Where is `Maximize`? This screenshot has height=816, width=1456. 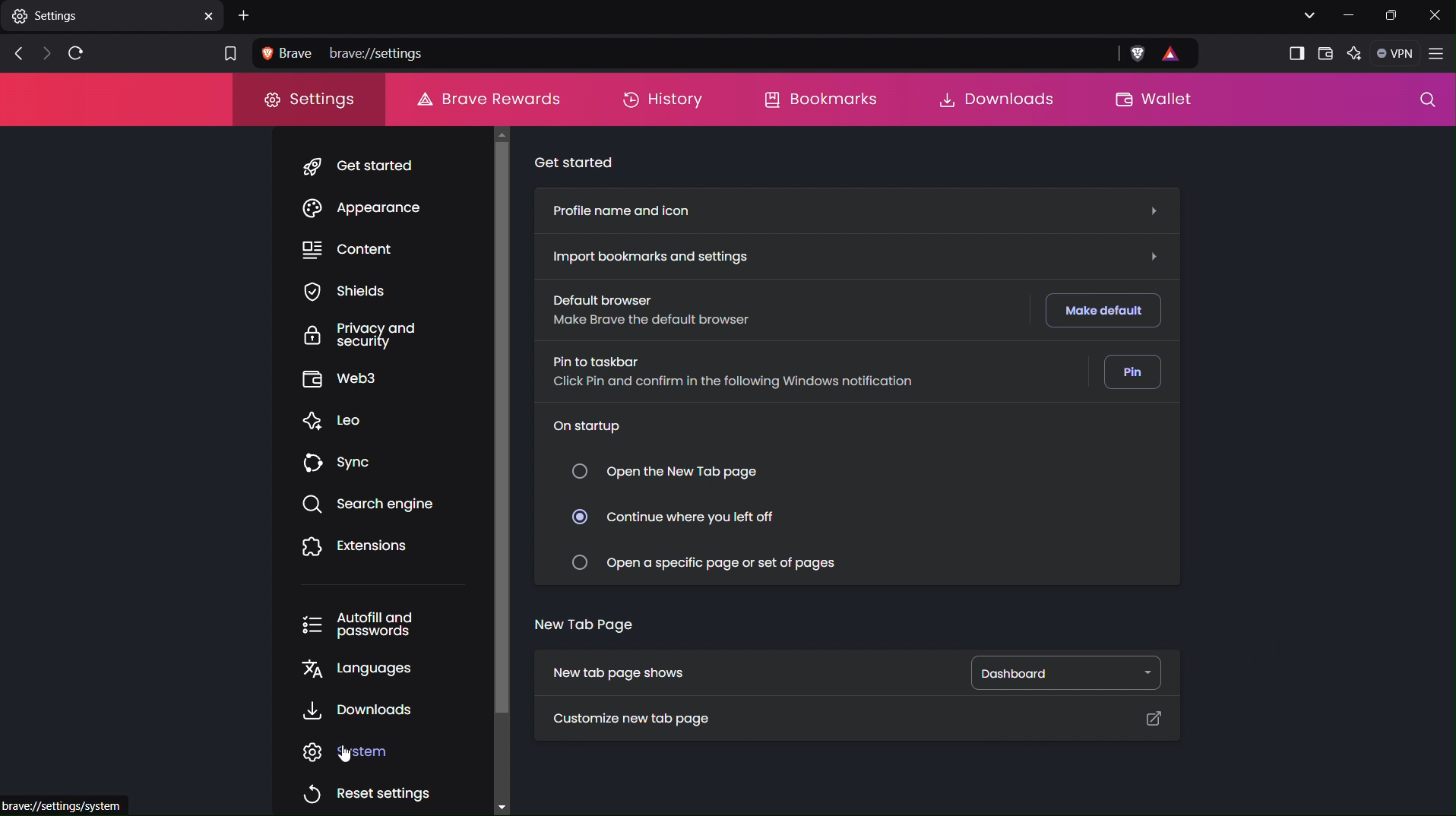
Maximize is located at coordinates (1392, 15).